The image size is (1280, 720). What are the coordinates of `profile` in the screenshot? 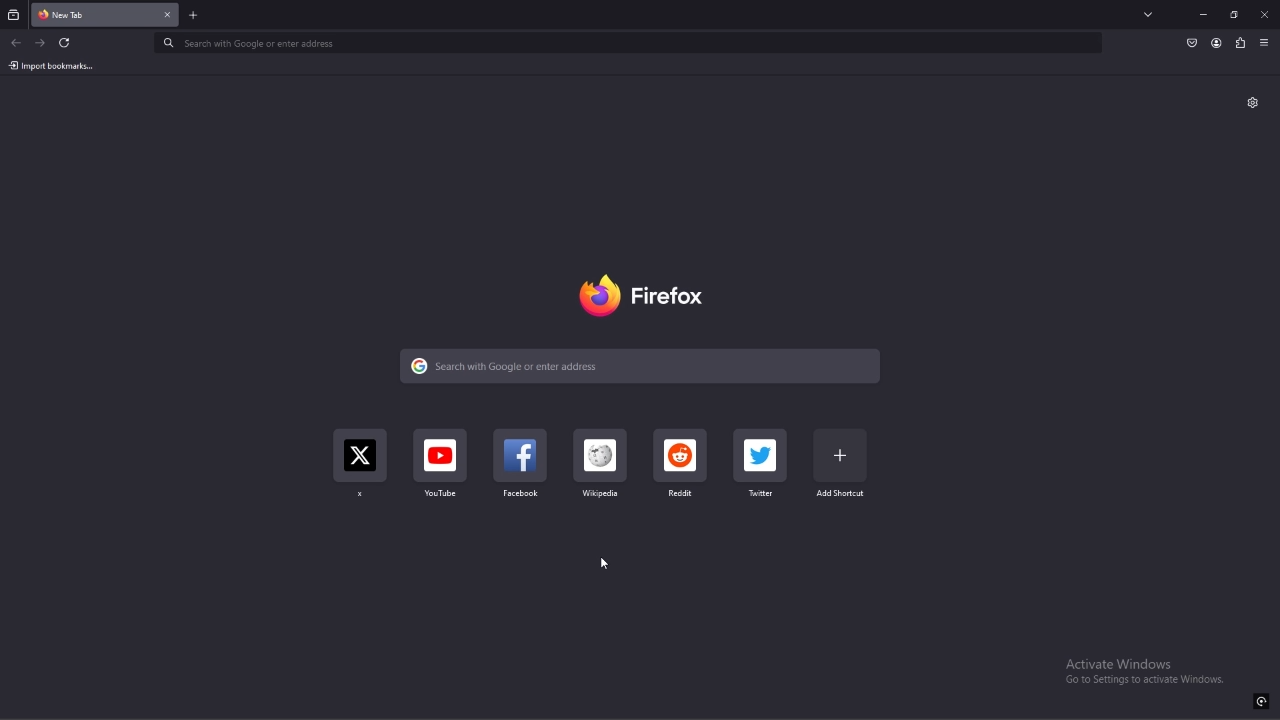 It's located at (1217, 43).